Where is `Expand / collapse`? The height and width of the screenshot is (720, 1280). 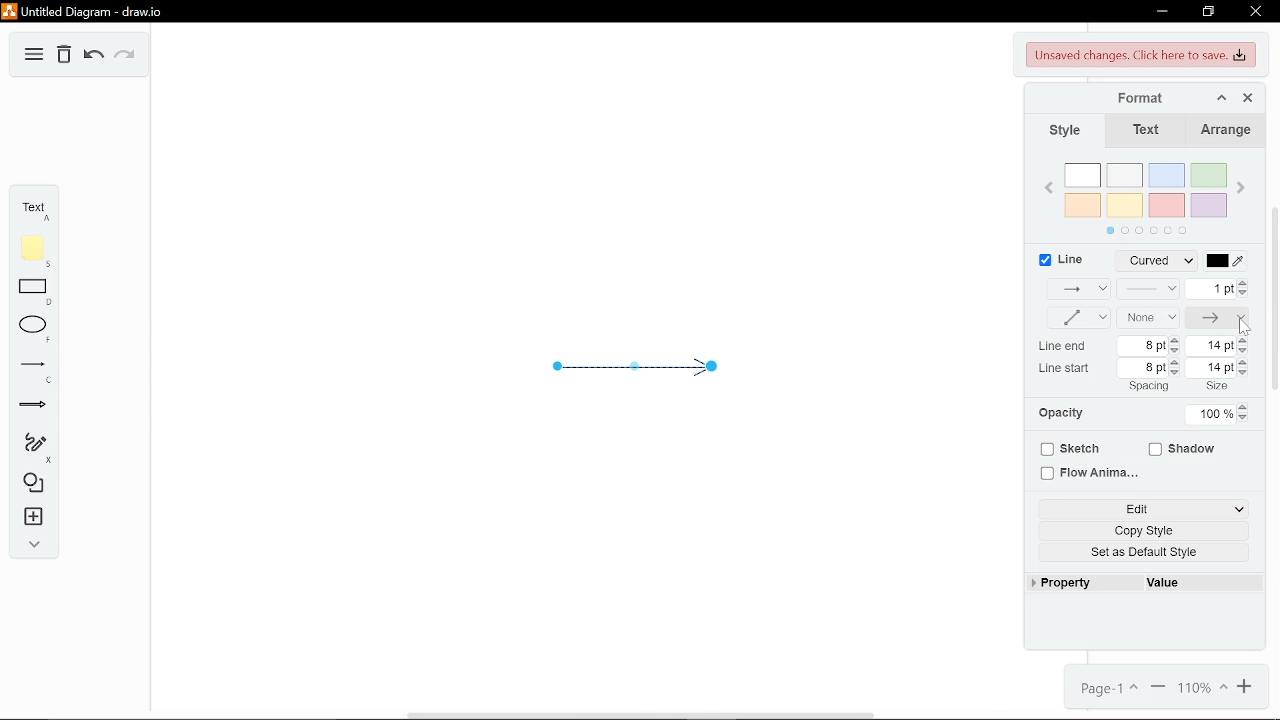 Expand / collapse is located at coordinates (34, 542).